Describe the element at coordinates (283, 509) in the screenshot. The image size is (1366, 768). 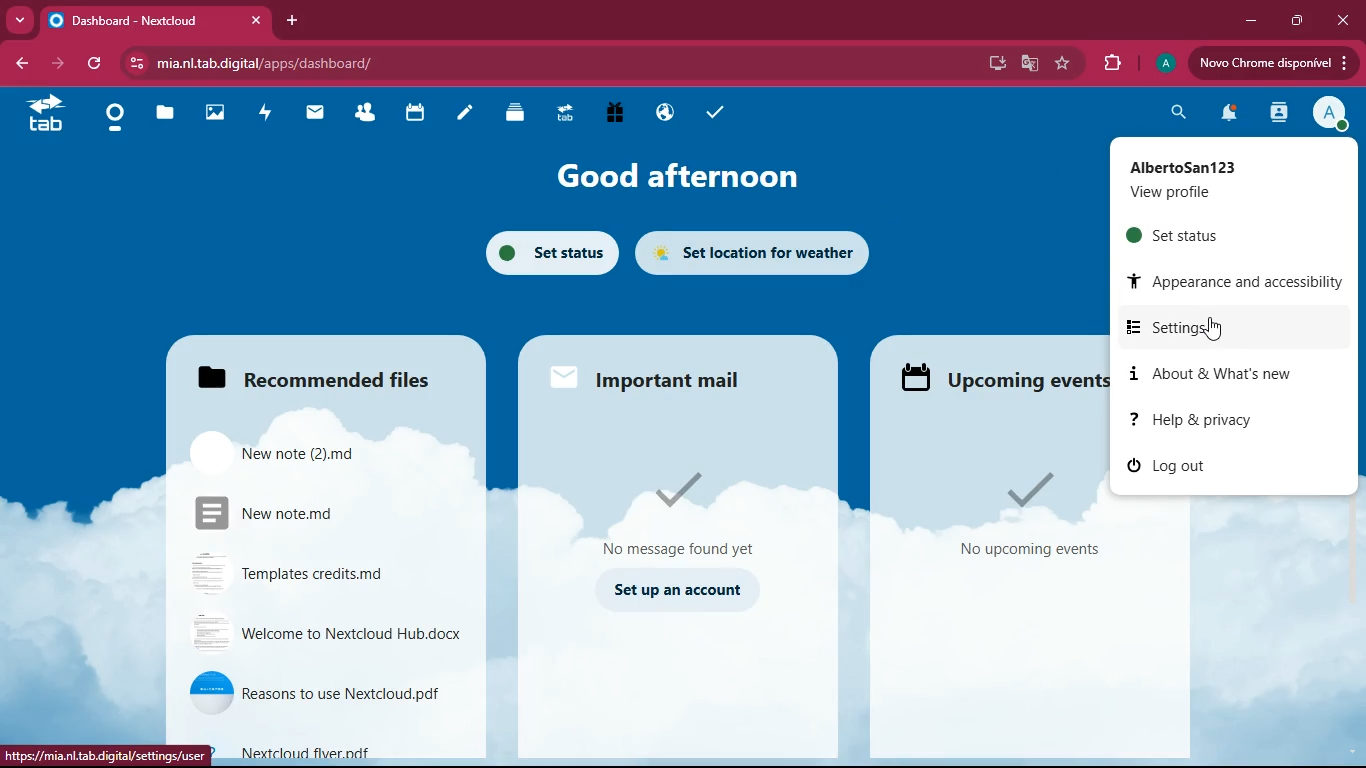
I see `file` at that location.